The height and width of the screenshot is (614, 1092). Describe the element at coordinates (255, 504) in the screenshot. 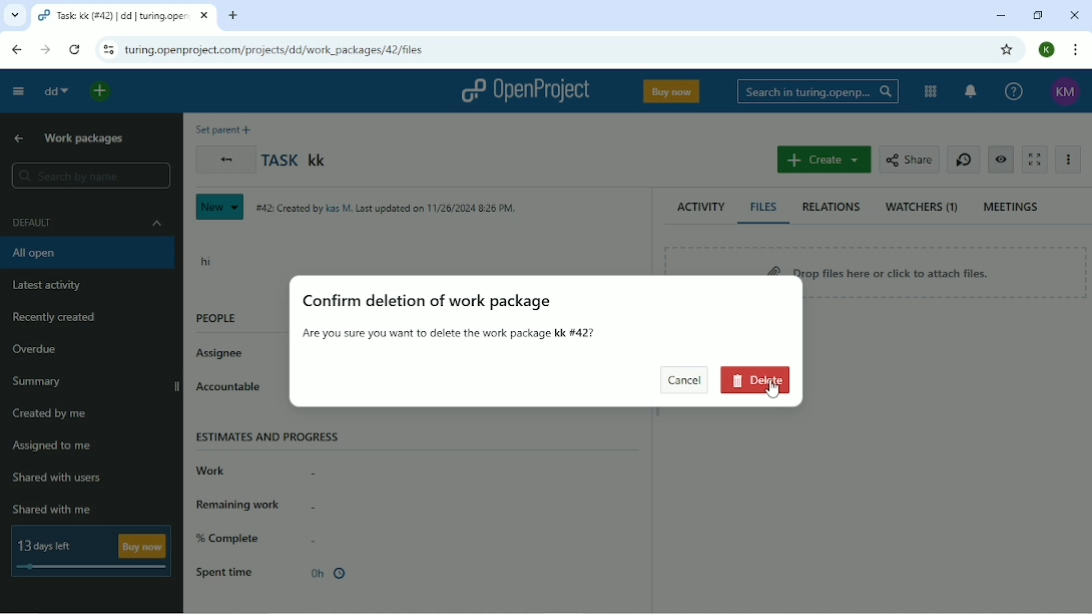

I see `Remaining work` at that location.